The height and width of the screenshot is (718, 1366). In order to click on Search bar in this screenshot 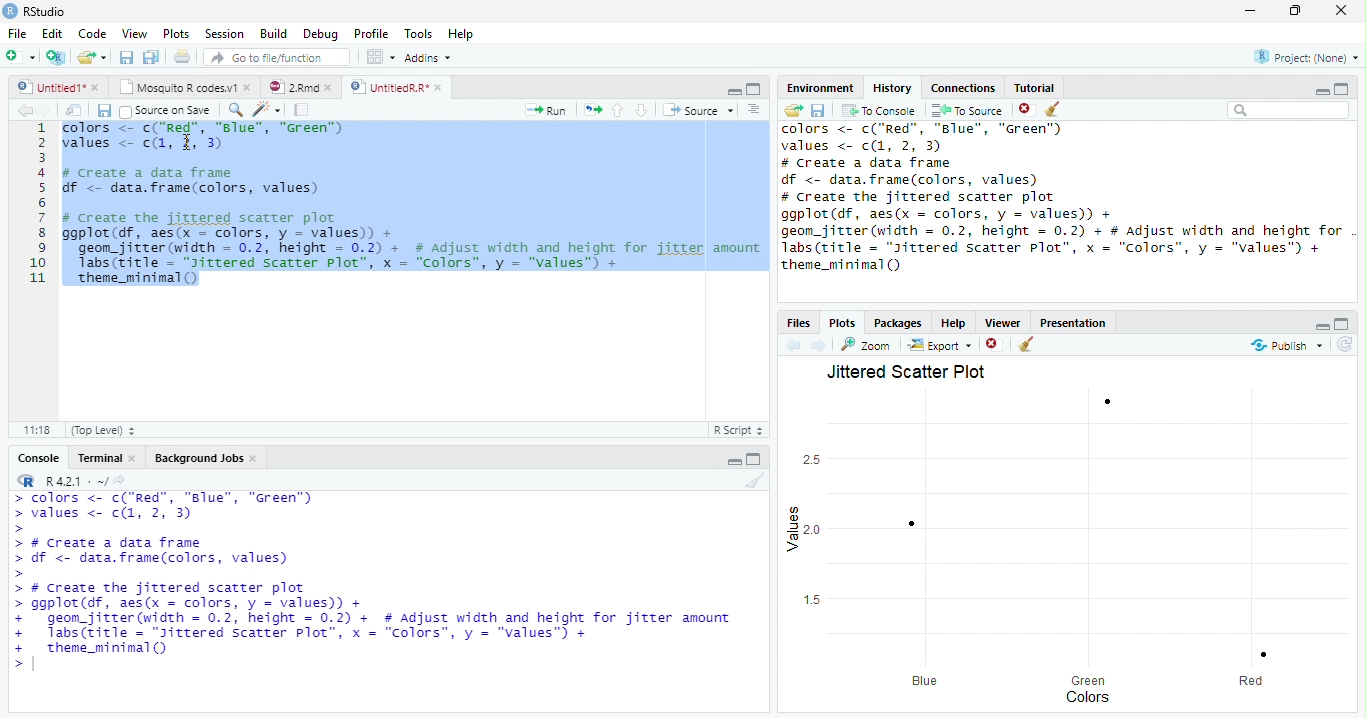, I will do `click(1290, 110)`.